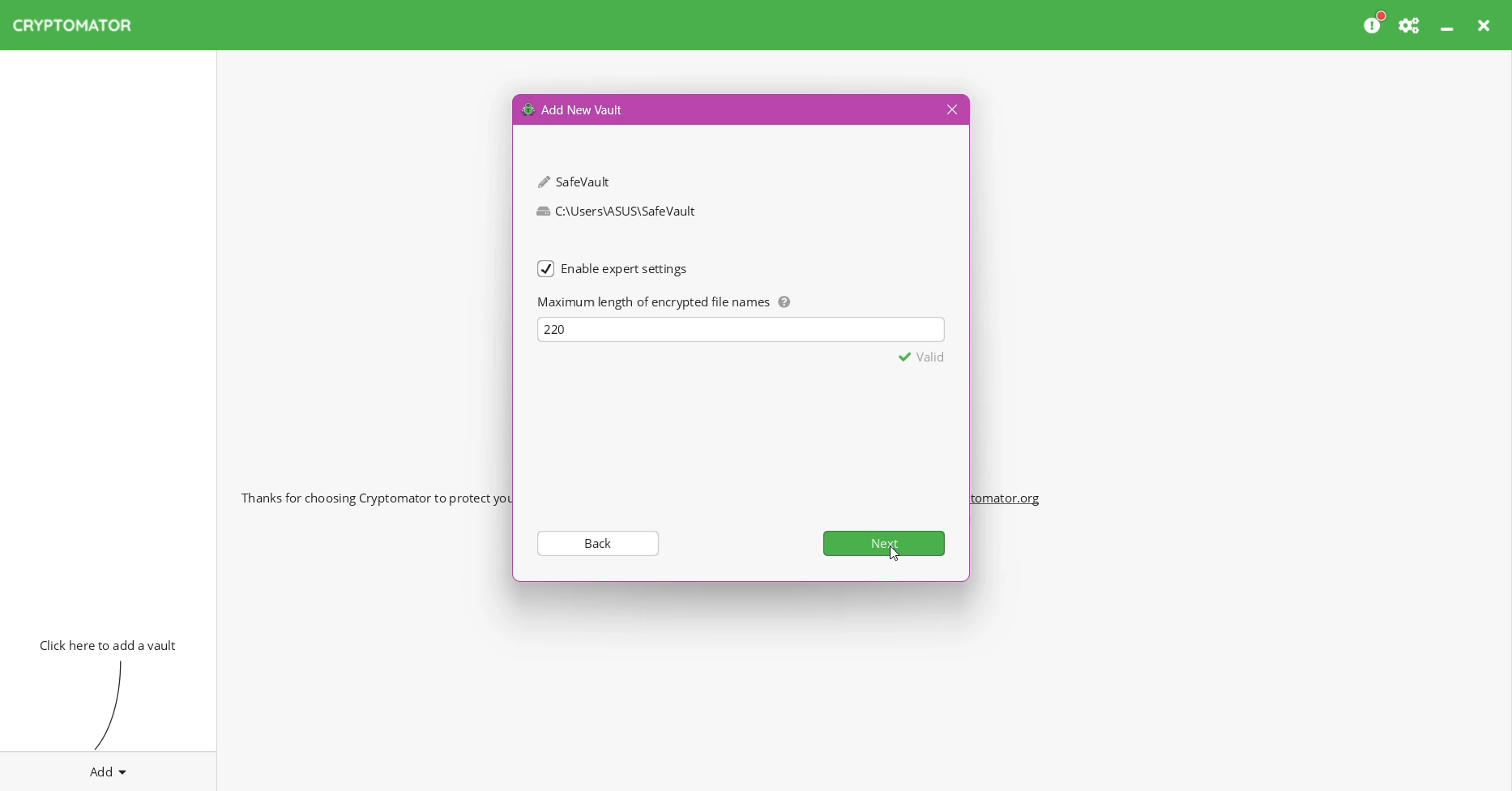  Describe the element at coordinates (574, 109) in the screenshot. I see `Add New Vault` at that location.